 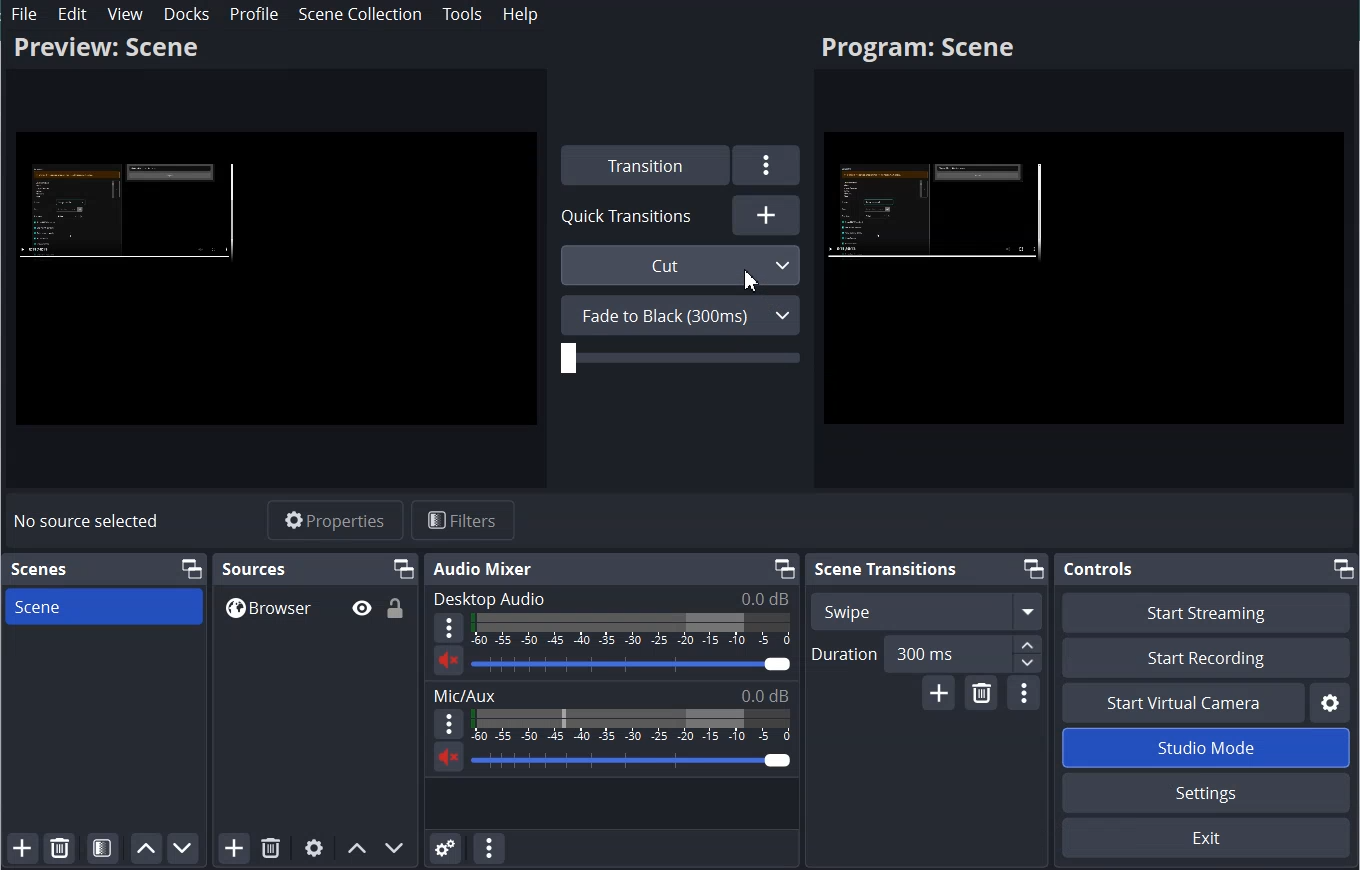 What do you see at coordinates (105, 46) in the screenshot?
I see `Program: Scene` at bounding box center [105, 46].